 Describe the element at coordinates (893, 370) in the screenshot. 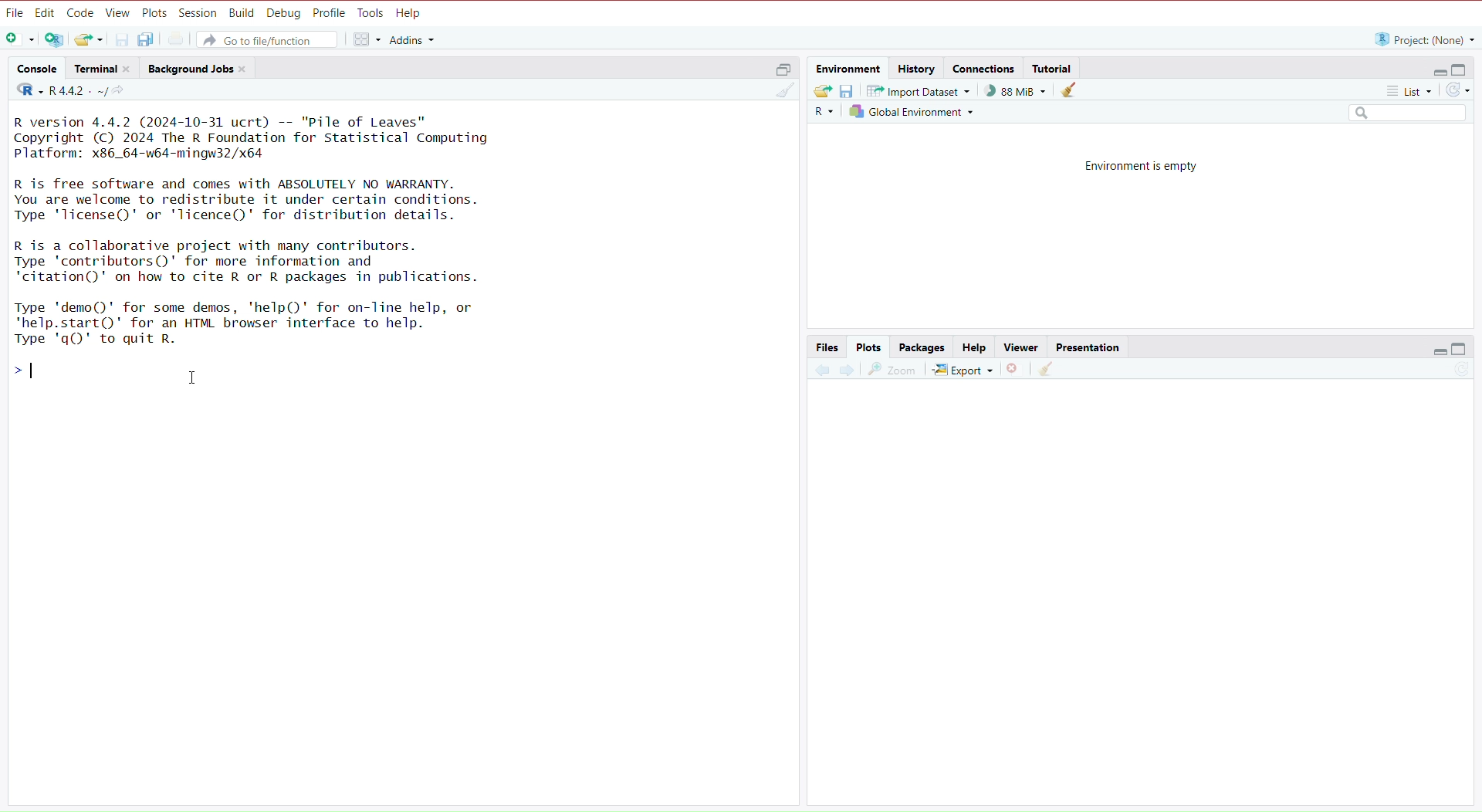

I see `Zoom` at that location.